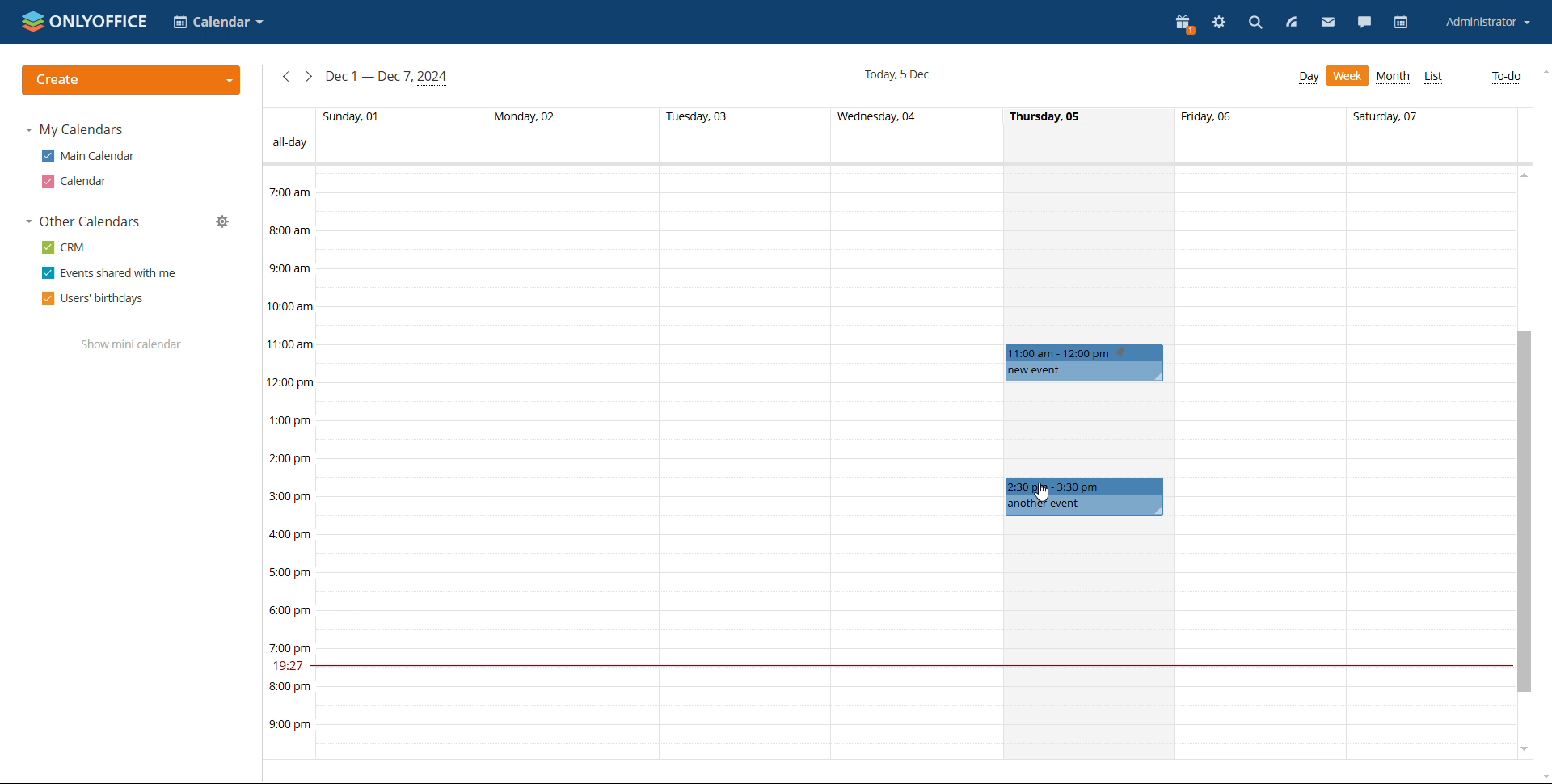 This screenshot has height=784, width=1552. Describe the element at coordinates (74, 130) in the screenshot. I see `my calendars` at that location.